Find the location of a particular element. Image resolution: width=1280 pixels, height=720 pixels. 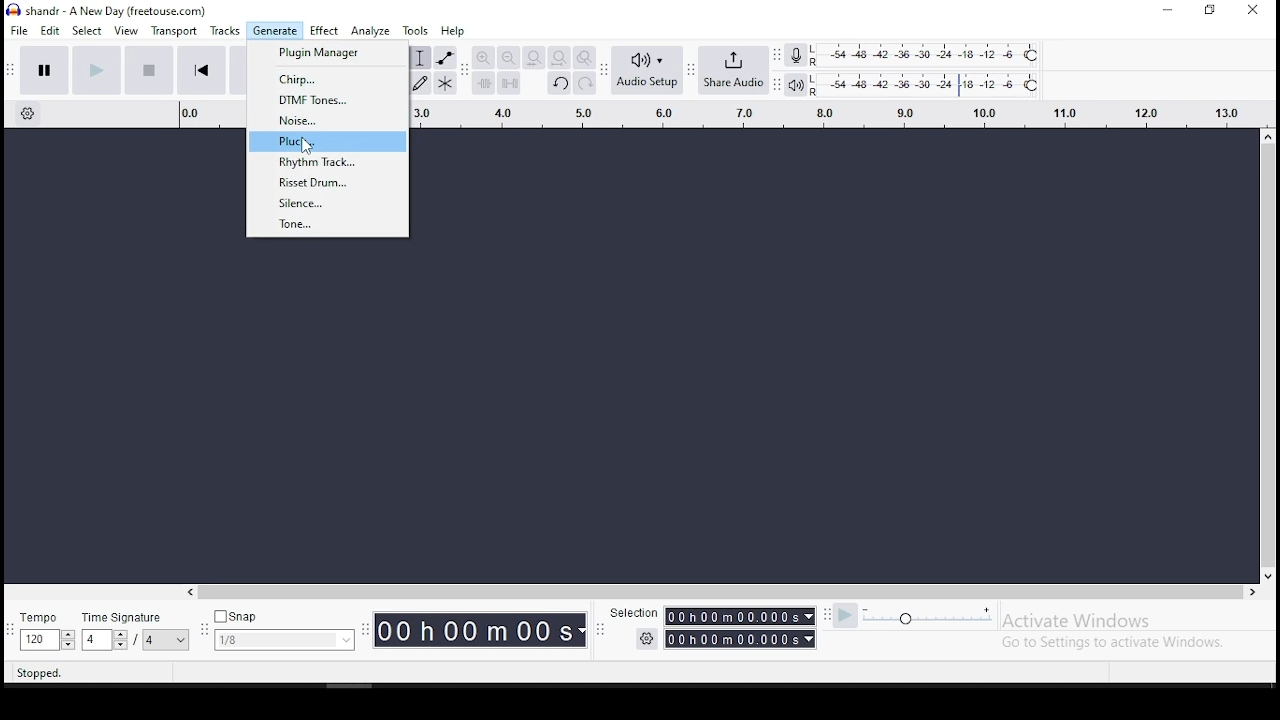

playback speed is located at coordinates (948, 616).